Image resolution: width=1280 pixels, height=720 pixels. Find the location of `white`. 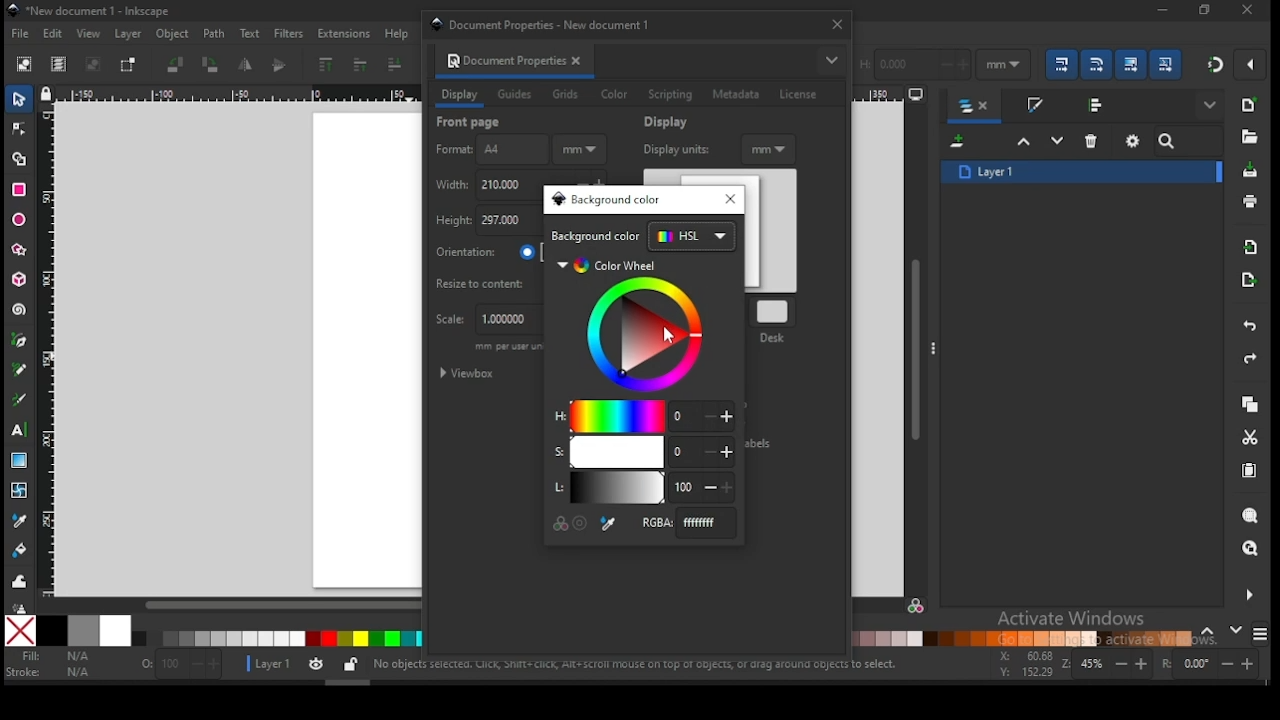

white is located at coordinates (115, 630).